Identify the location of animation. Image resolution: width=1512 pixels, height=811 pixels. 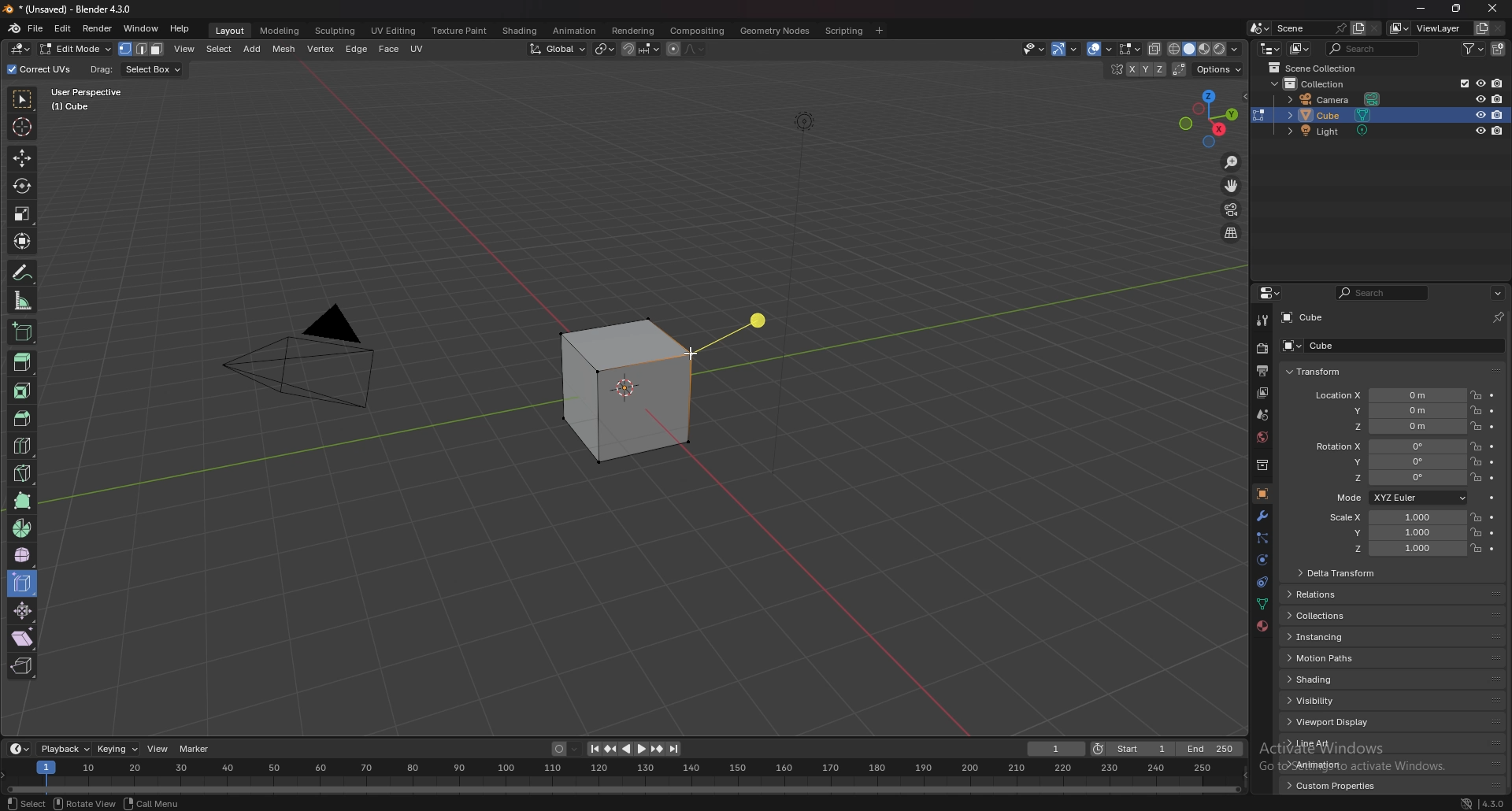
(576, 30).